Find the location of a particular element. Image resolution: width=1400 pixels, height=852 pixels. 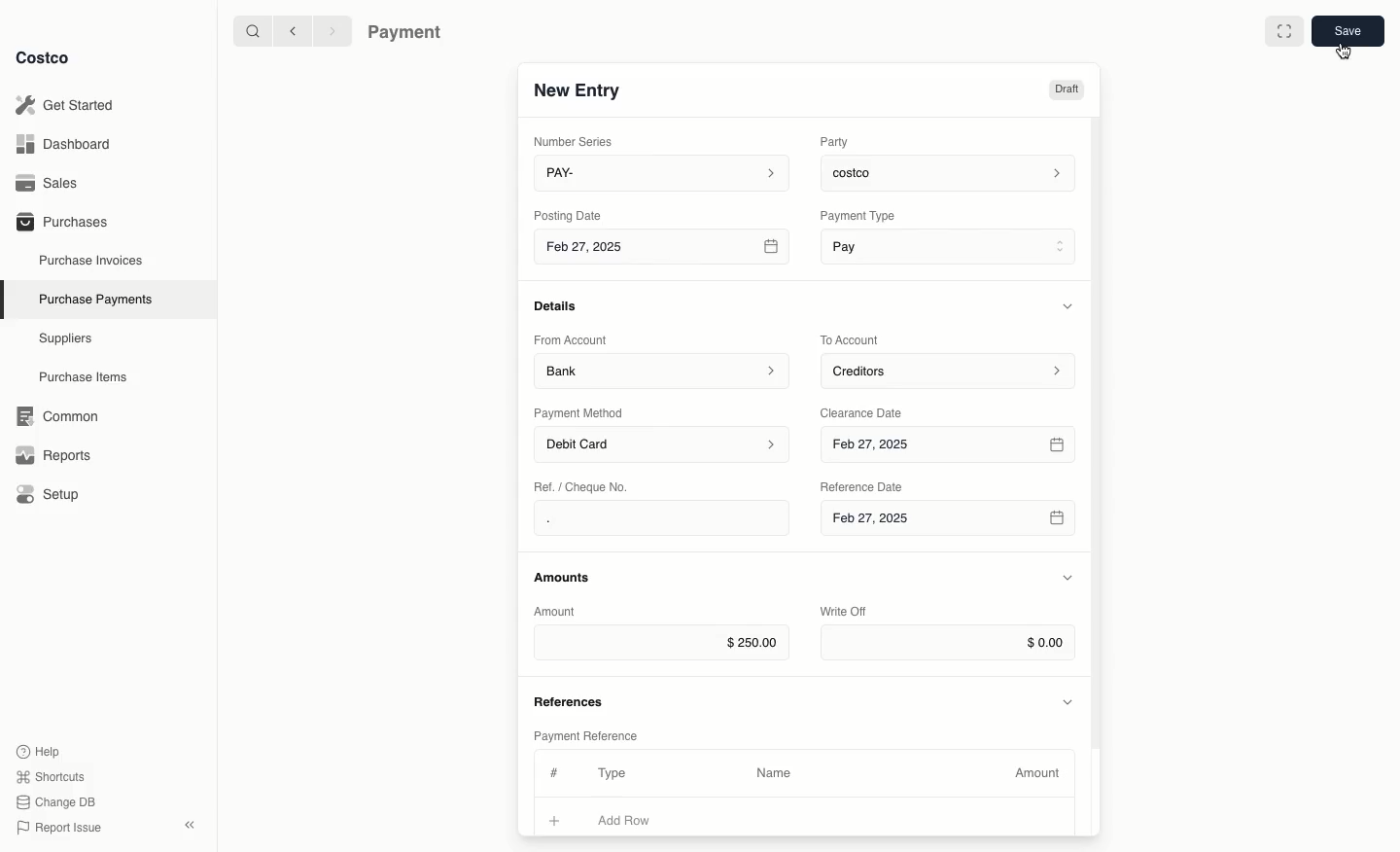

Full width toggle is located at coordinates (1284, 34).